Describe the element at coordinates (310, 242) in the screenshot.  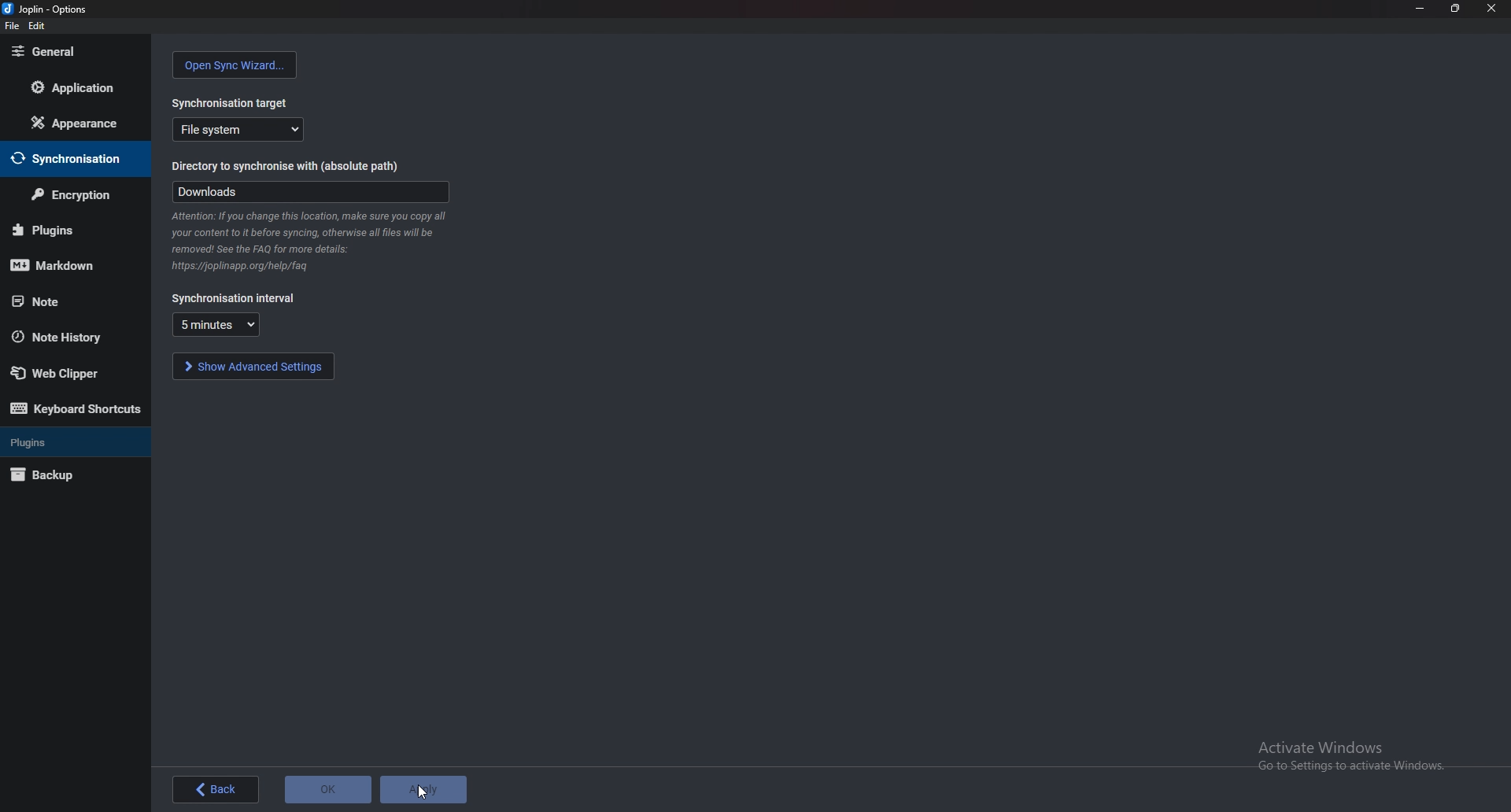
I see `Attention: If you change this location, make sure you copy all
your content to it before syncing, otherwise al files will be
removed! See the FAQ for more details:
https://joplinapp.org/help/faq` at that location.